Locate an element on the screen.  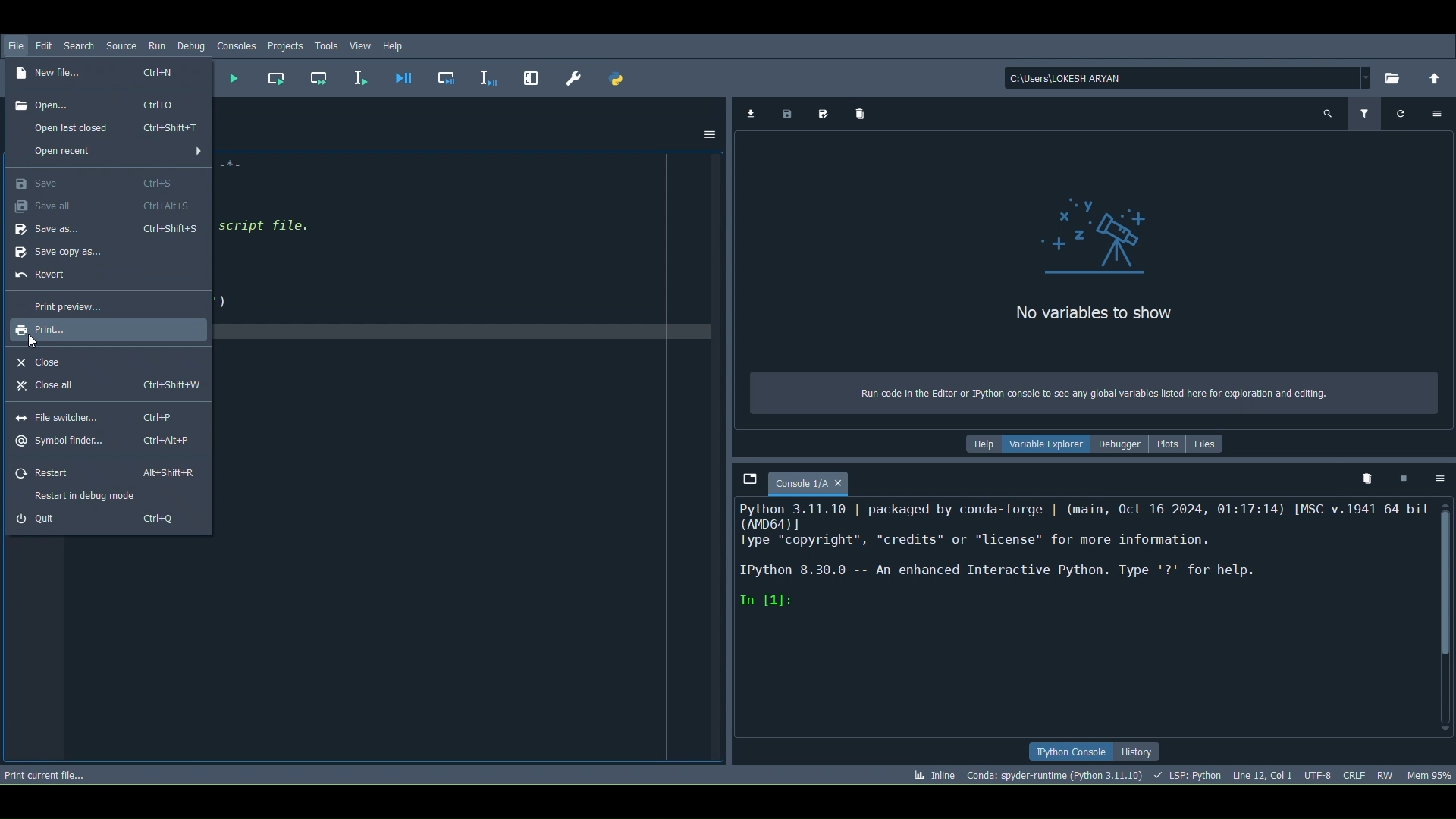
Run current cell (Ctrl + Return) is located at coordinates (278, 76).